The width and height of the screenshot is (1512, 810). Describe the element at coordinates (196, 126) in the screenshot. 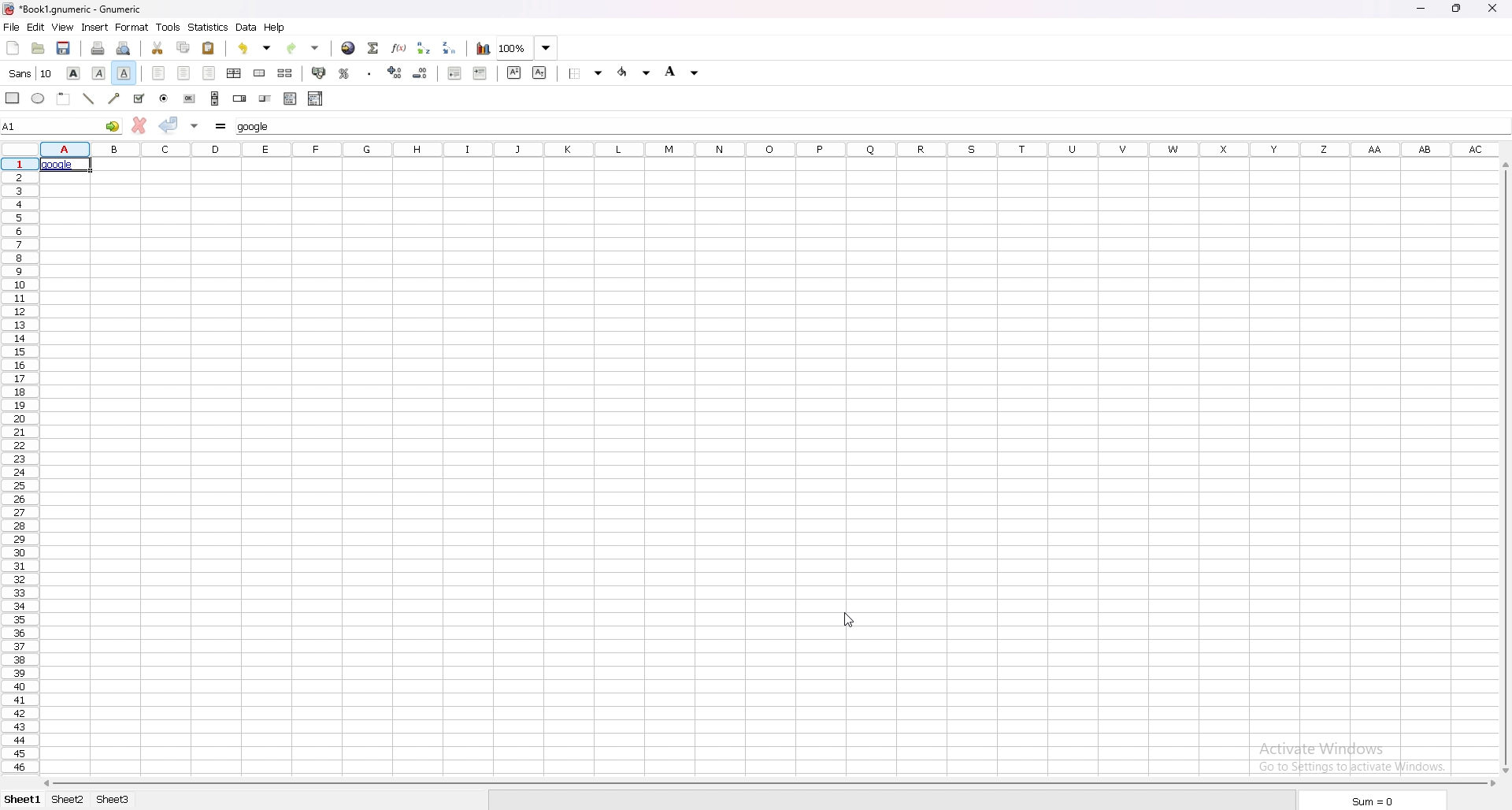

I see `accept changes in multple cell` at that location.